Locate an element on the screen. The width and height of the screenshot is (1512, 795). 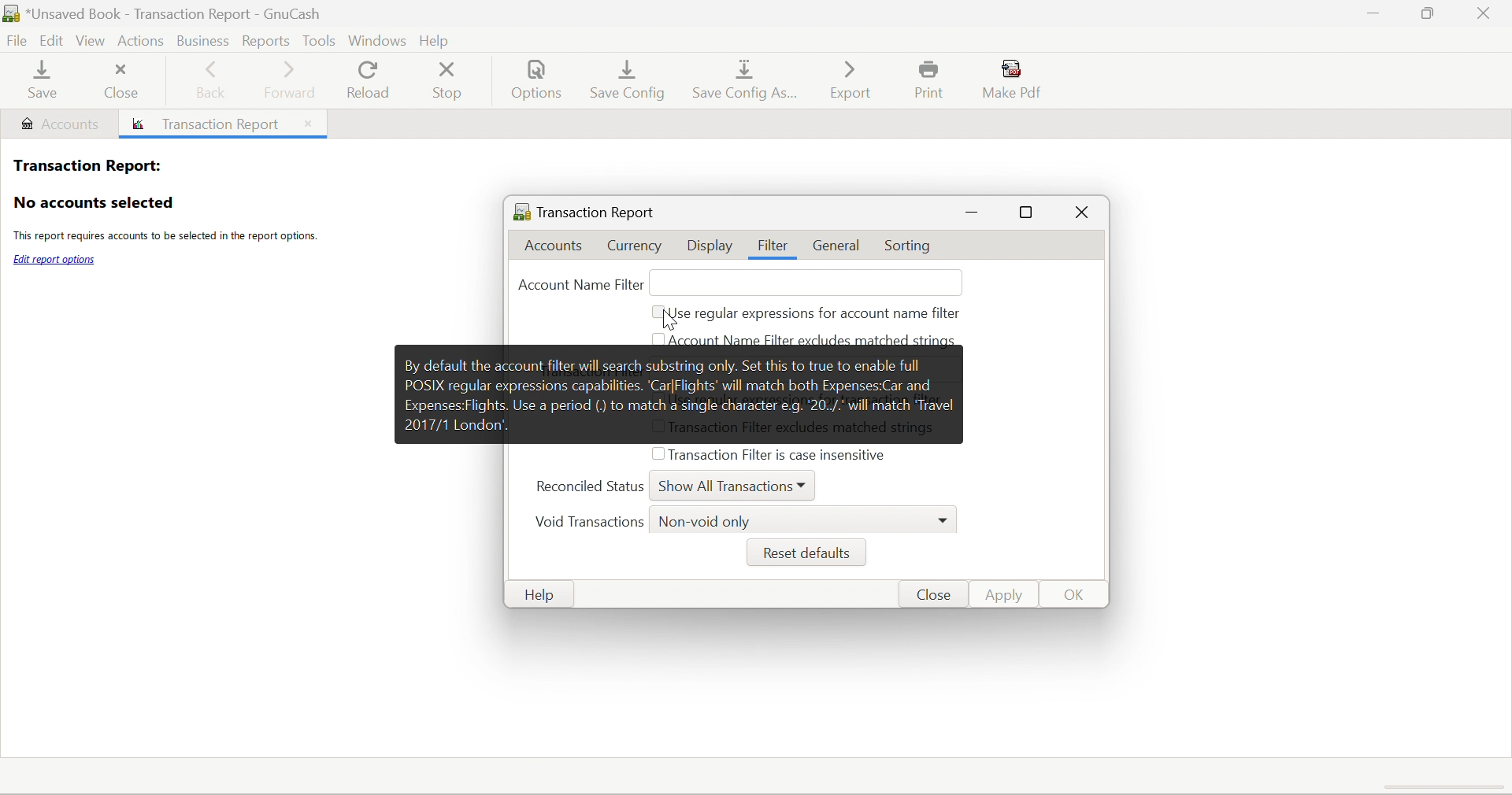
Drop Down is located at coordinates (946, 519).